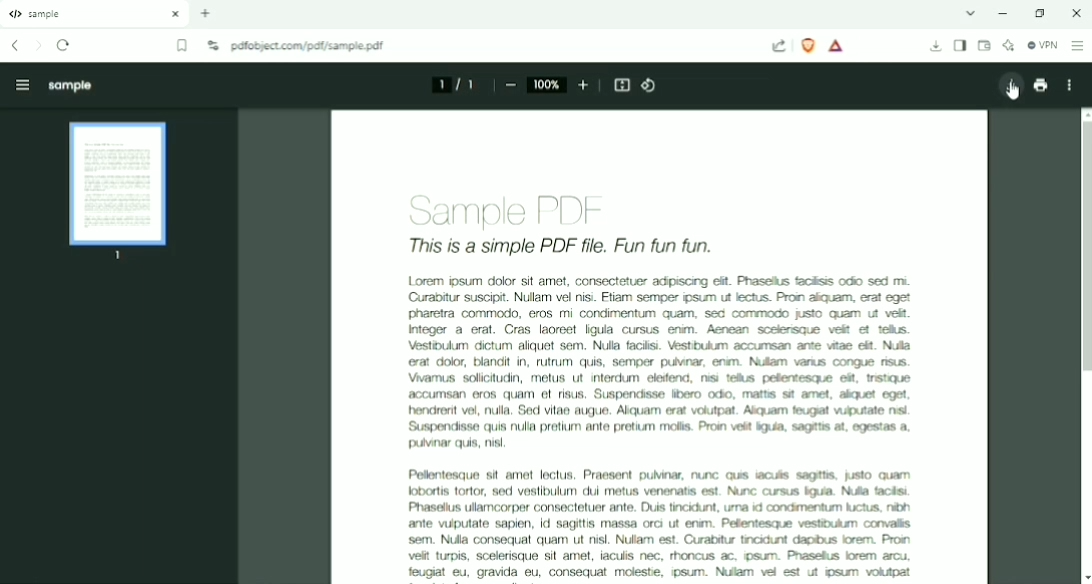 Image resolution: width=1092 pixels, height=584 pixels. I want to click on Fit to page, so click(623, 85).